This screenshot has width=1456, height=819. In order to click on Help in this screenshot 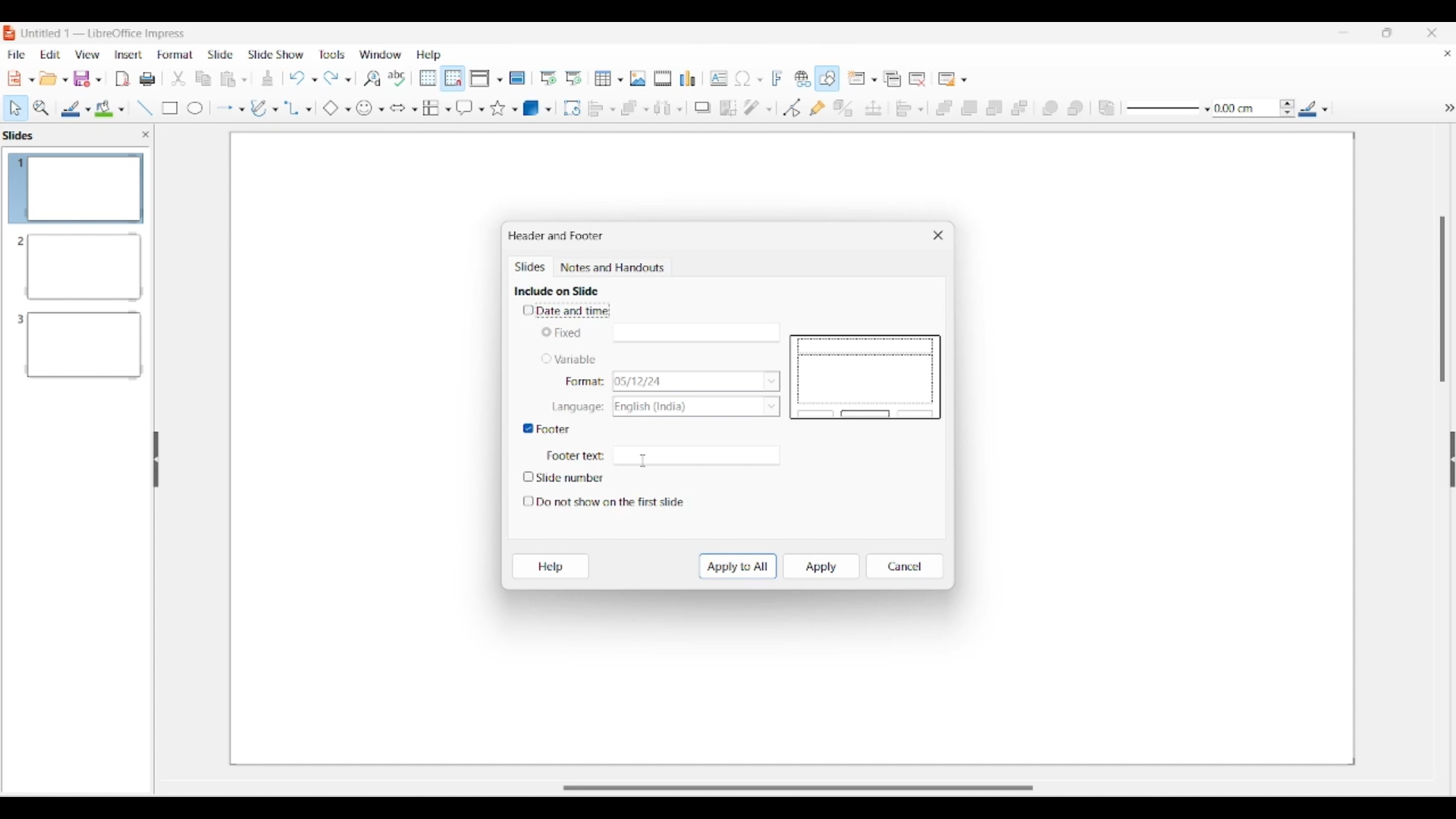, I will do `click(551, 566)`.